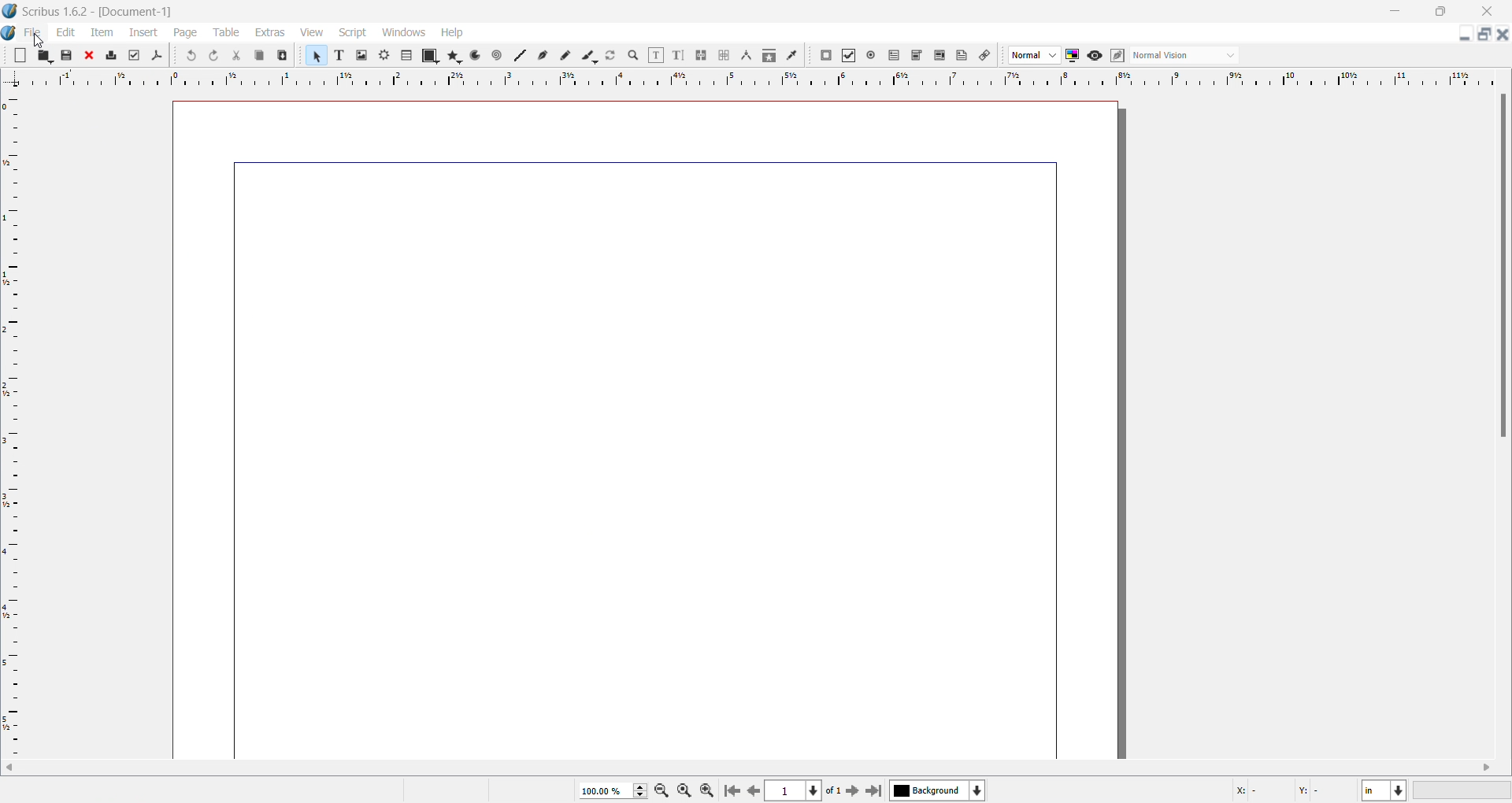  I want to click on copy, so click(261, 57).